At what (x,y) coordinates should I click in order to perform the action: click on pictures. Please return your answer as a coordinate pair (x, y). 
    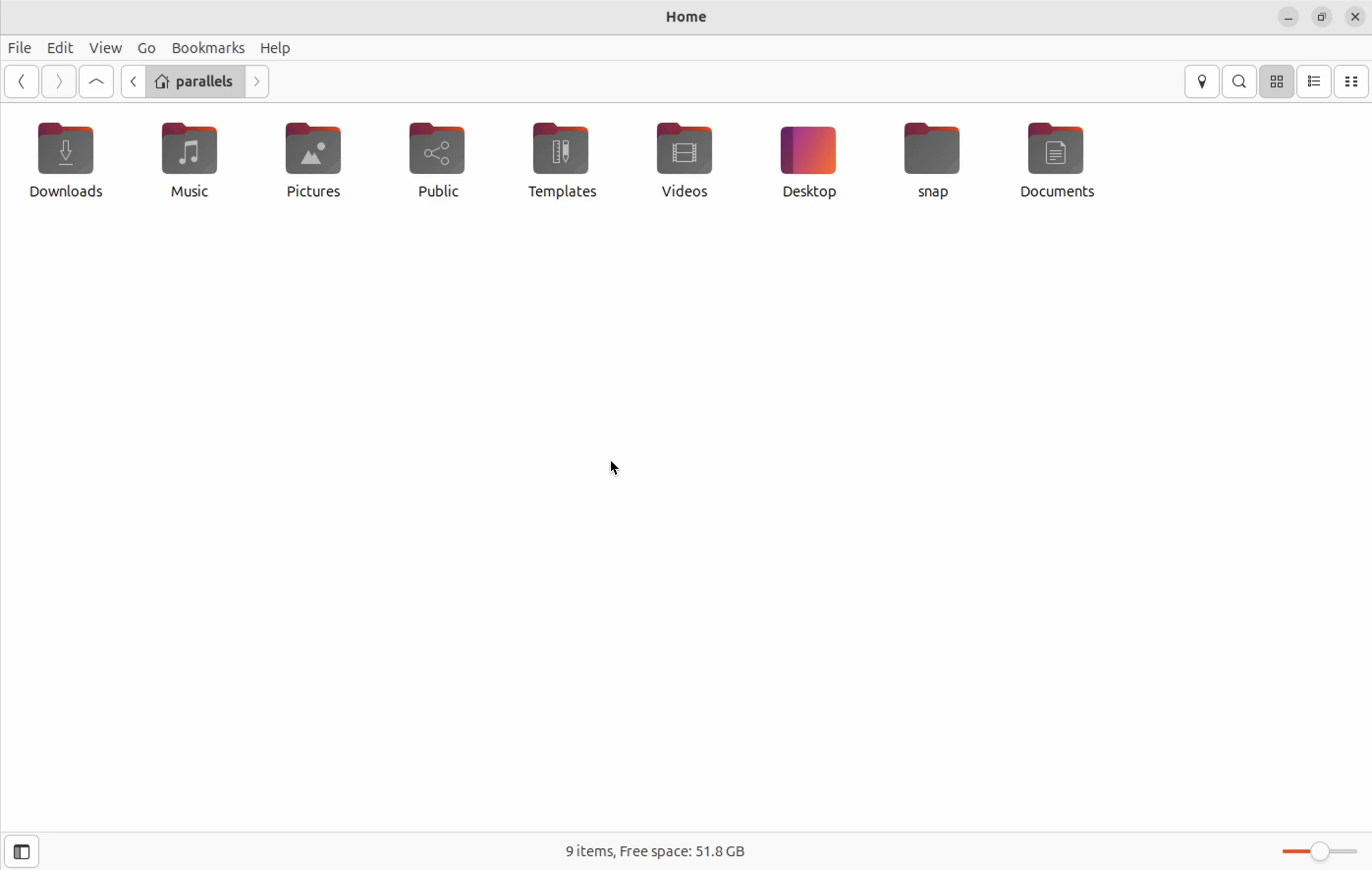
    Looking at the image, I should click on (312, 160).